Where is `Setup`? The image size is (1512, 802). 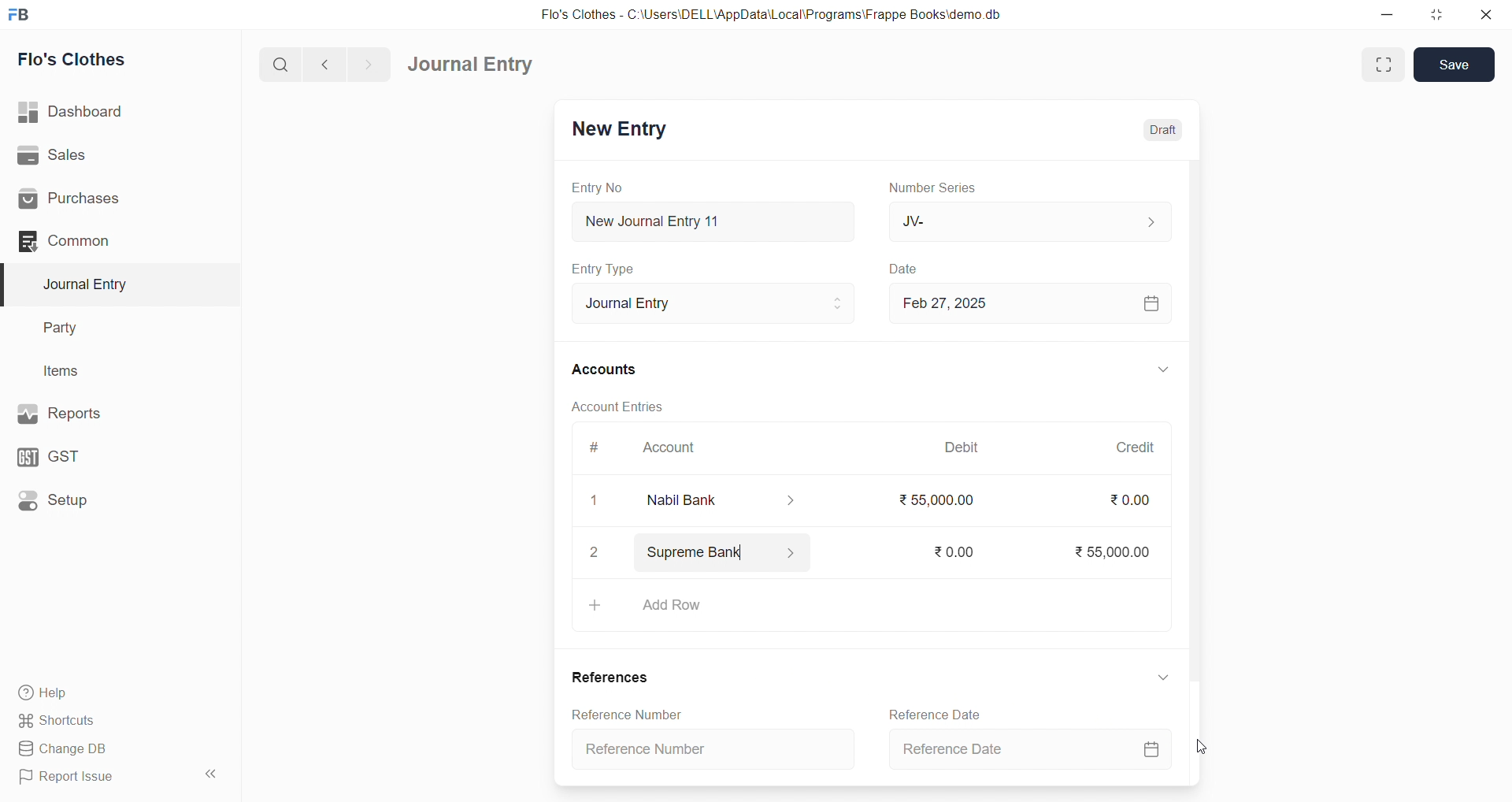 Setup is located at coordinates (91, 503).